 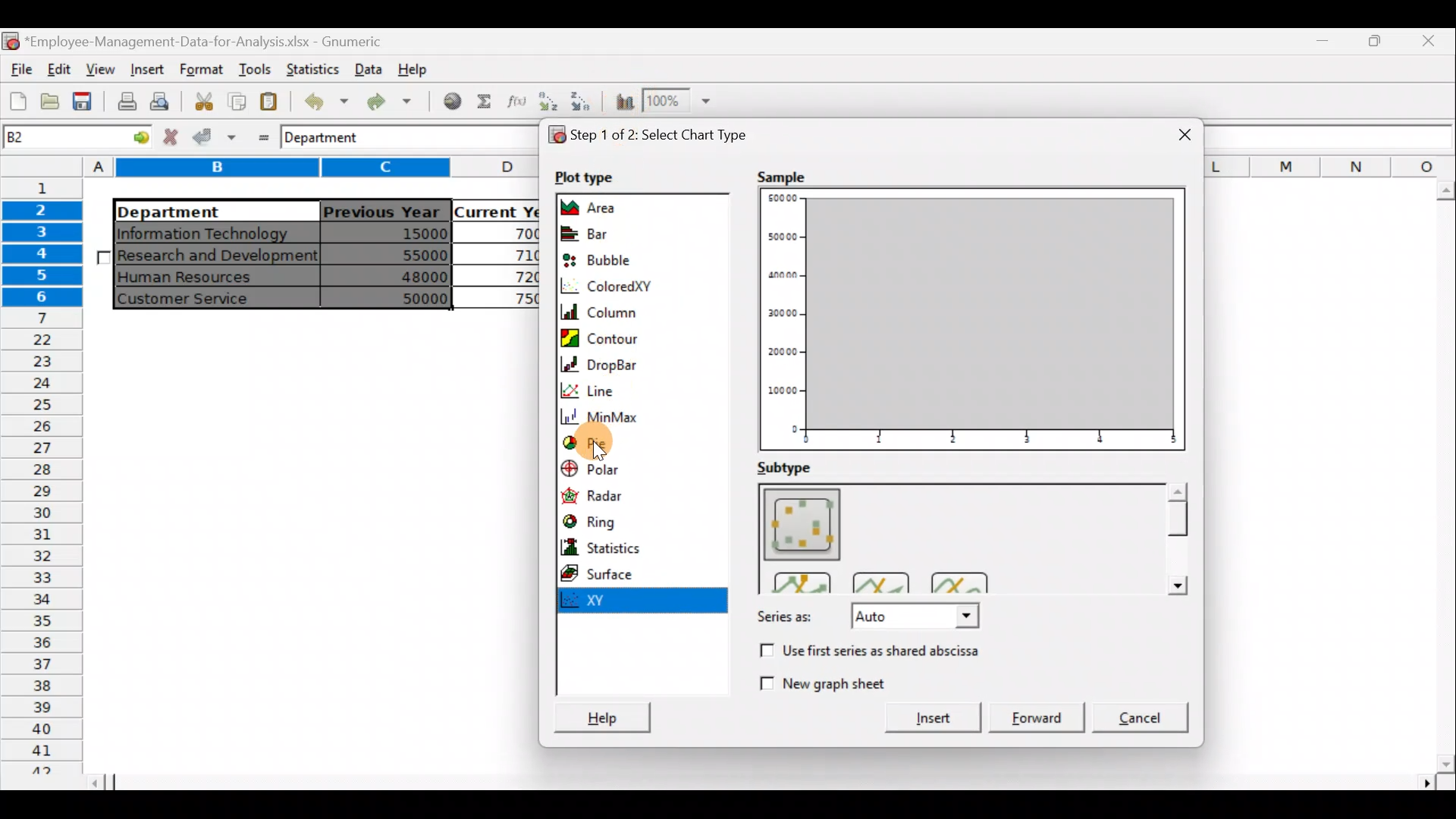 What do you see at coordinates (620, 206) in the screenshot?
I see `Area` at bounding box center [620, 206].